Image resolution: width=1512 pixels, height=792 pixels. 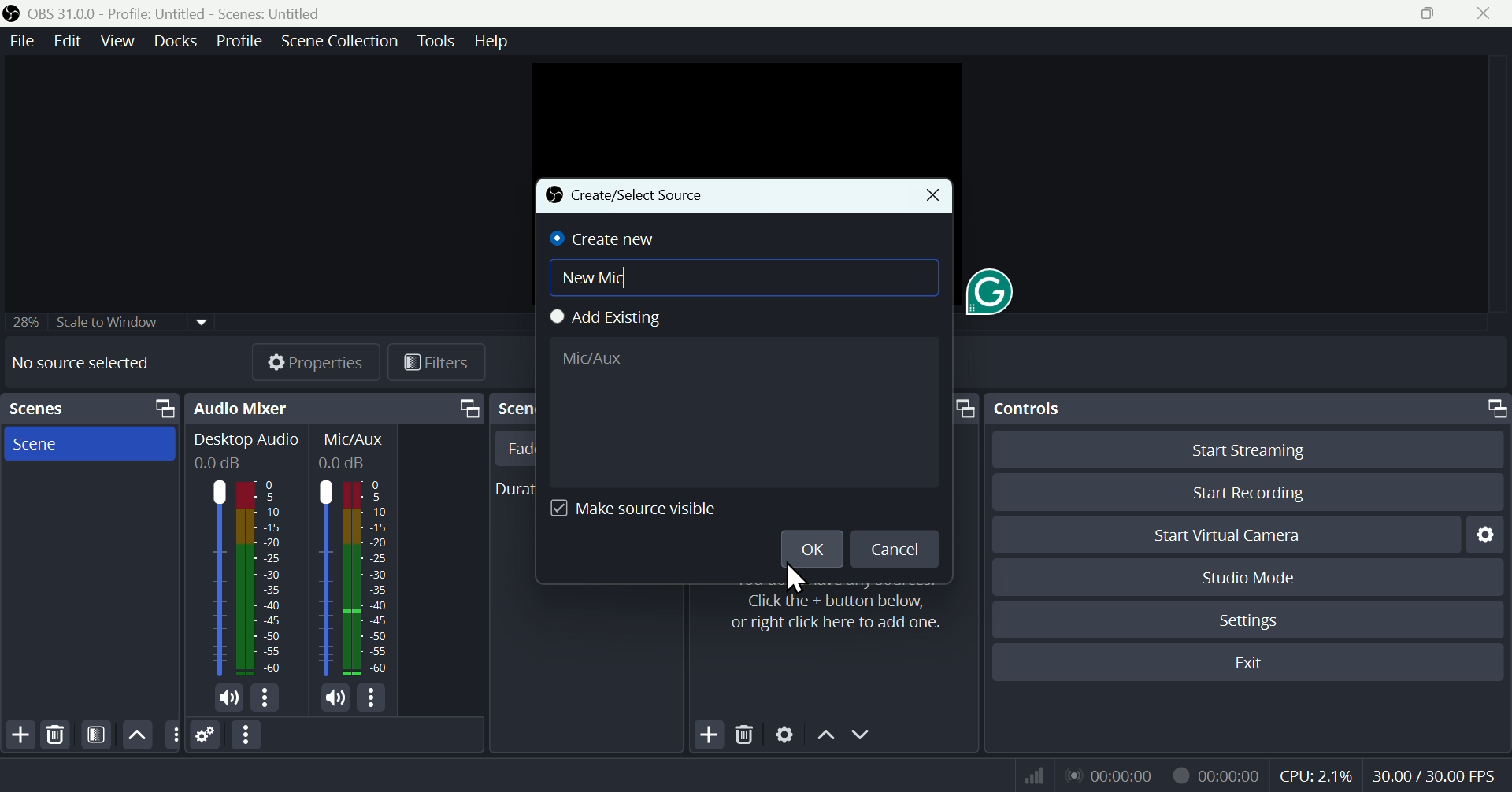 I want to click on Existing Source Name, so click(x=742, y=412).